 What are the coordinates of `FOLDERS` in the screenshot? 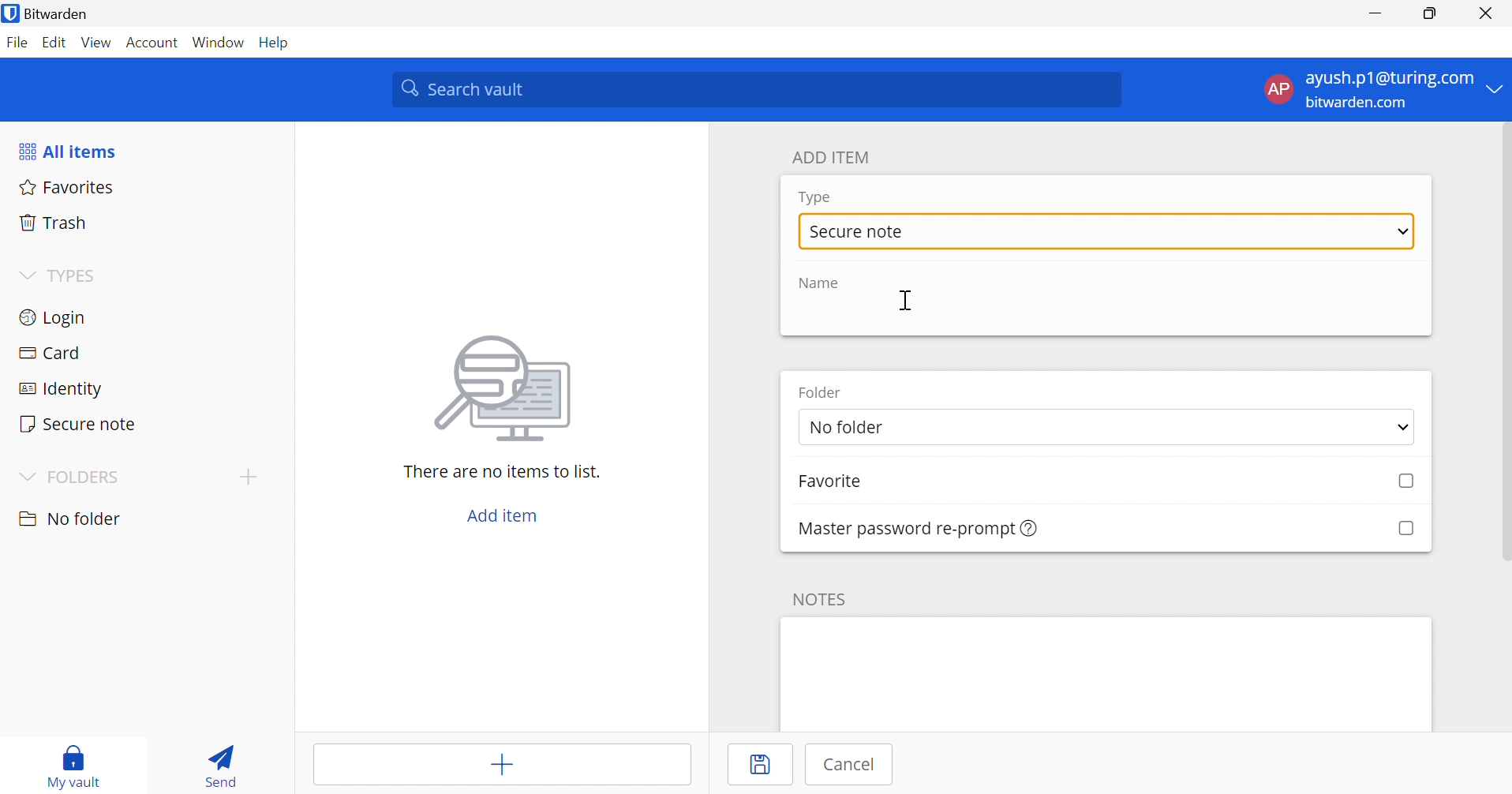 It's located at (89, 477).